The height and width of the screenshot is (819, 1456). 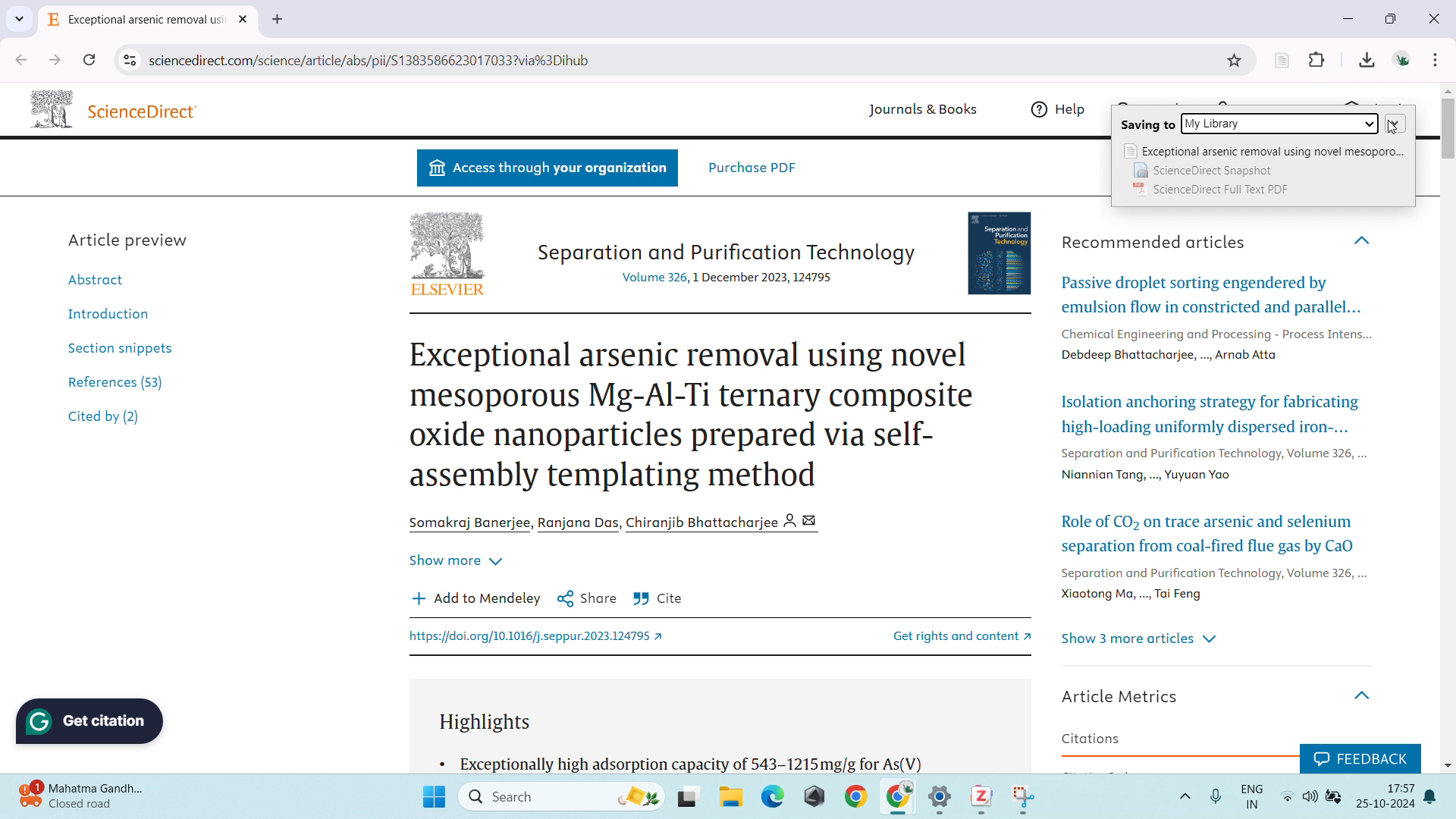 I want to click on Cite, so click(x=658, y=599).